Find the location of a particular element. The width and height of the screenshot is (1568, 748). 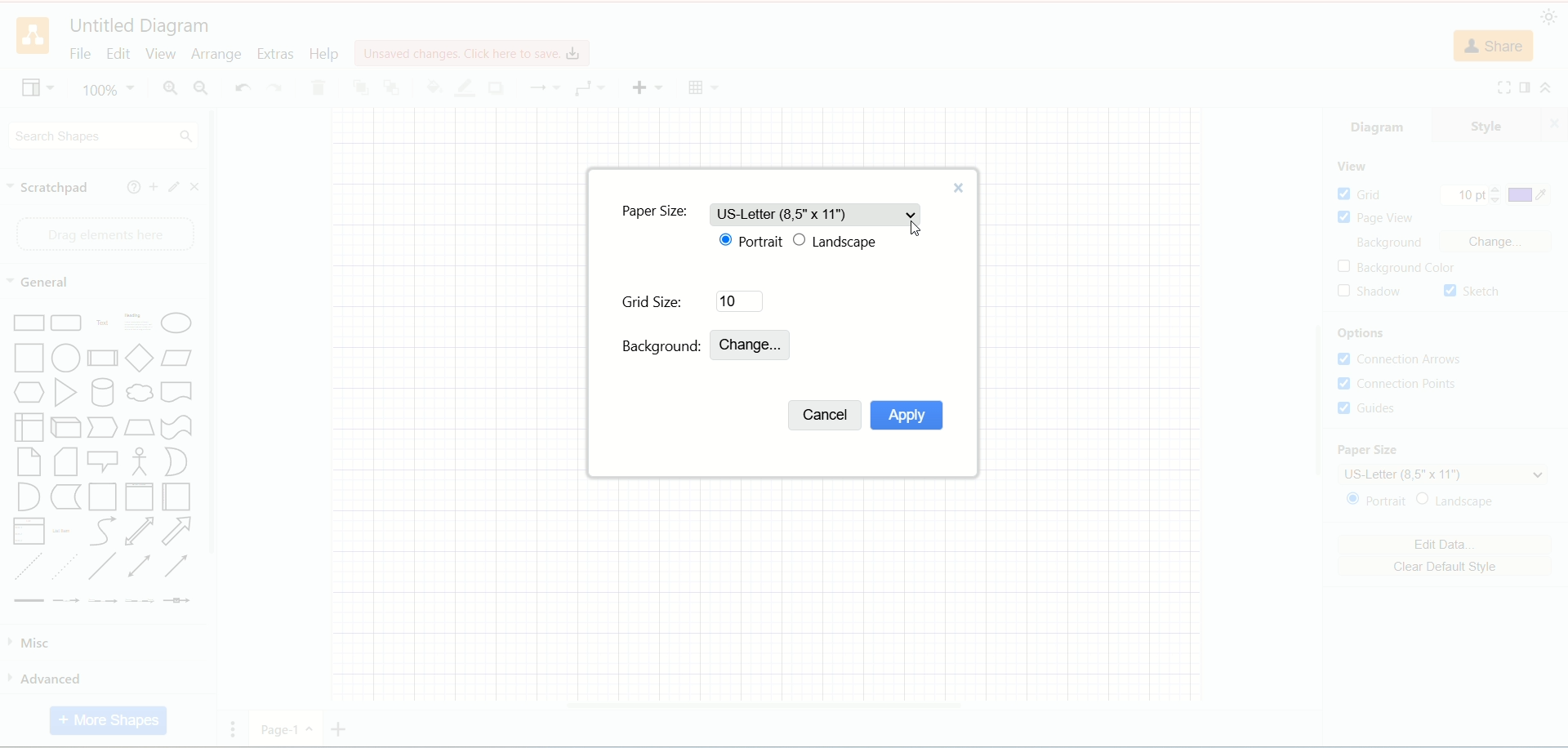

more shapes is located at coordinates (109, 720).